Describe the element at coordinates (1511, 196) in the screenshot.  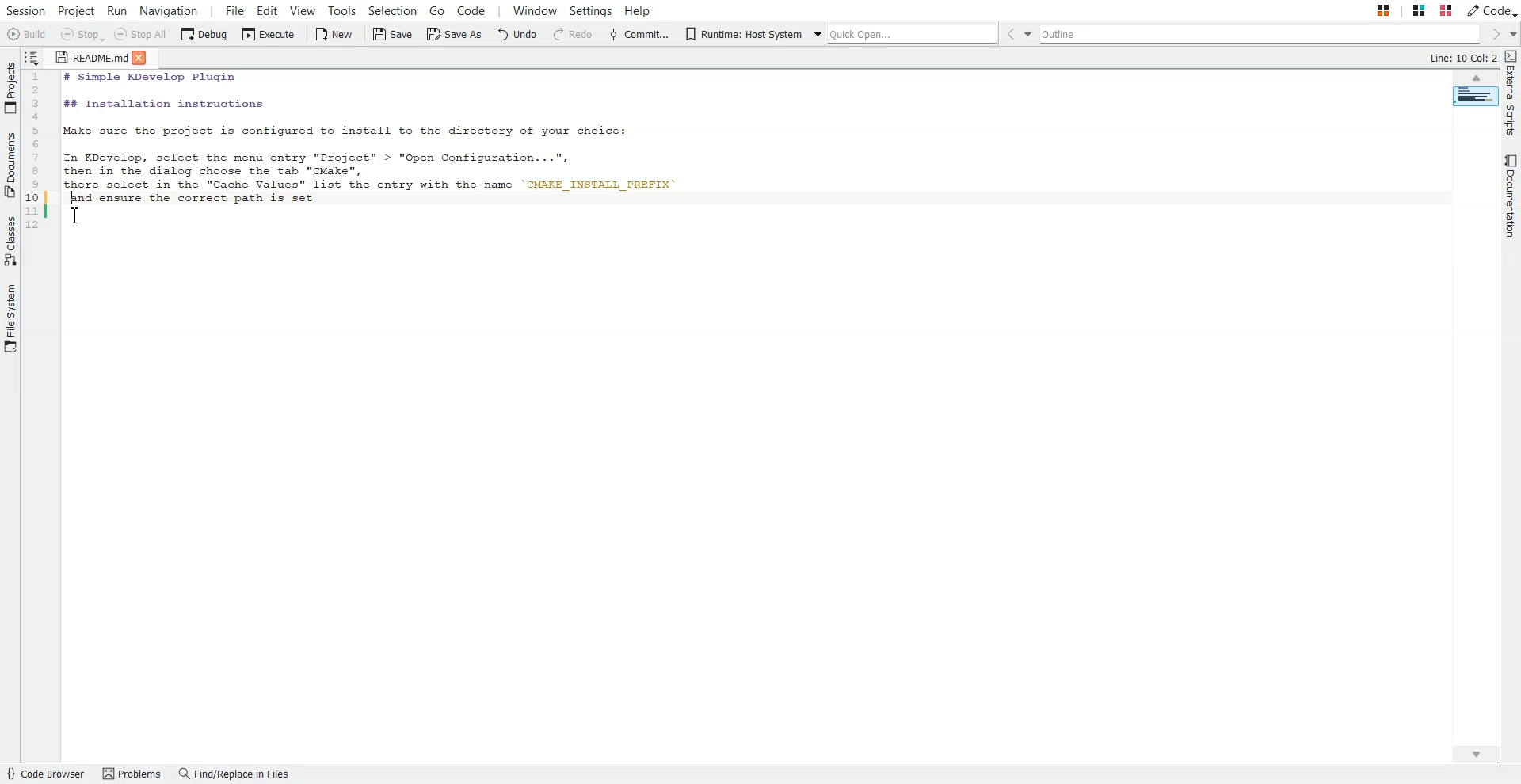
I see `Documentation` at that location.